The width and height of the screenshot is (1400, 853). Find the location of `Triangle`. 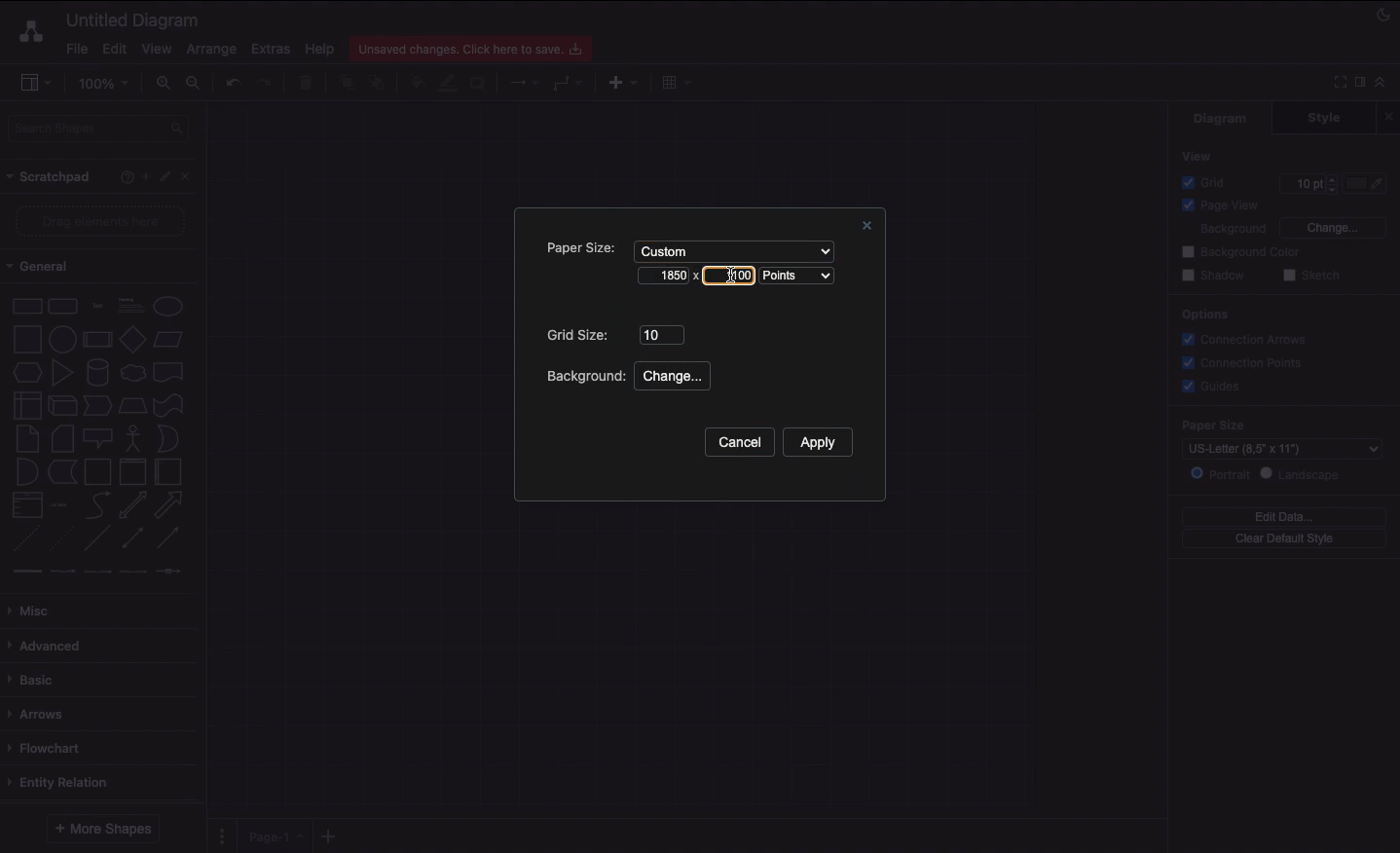

Triangle is located at coordinates (62, 372).